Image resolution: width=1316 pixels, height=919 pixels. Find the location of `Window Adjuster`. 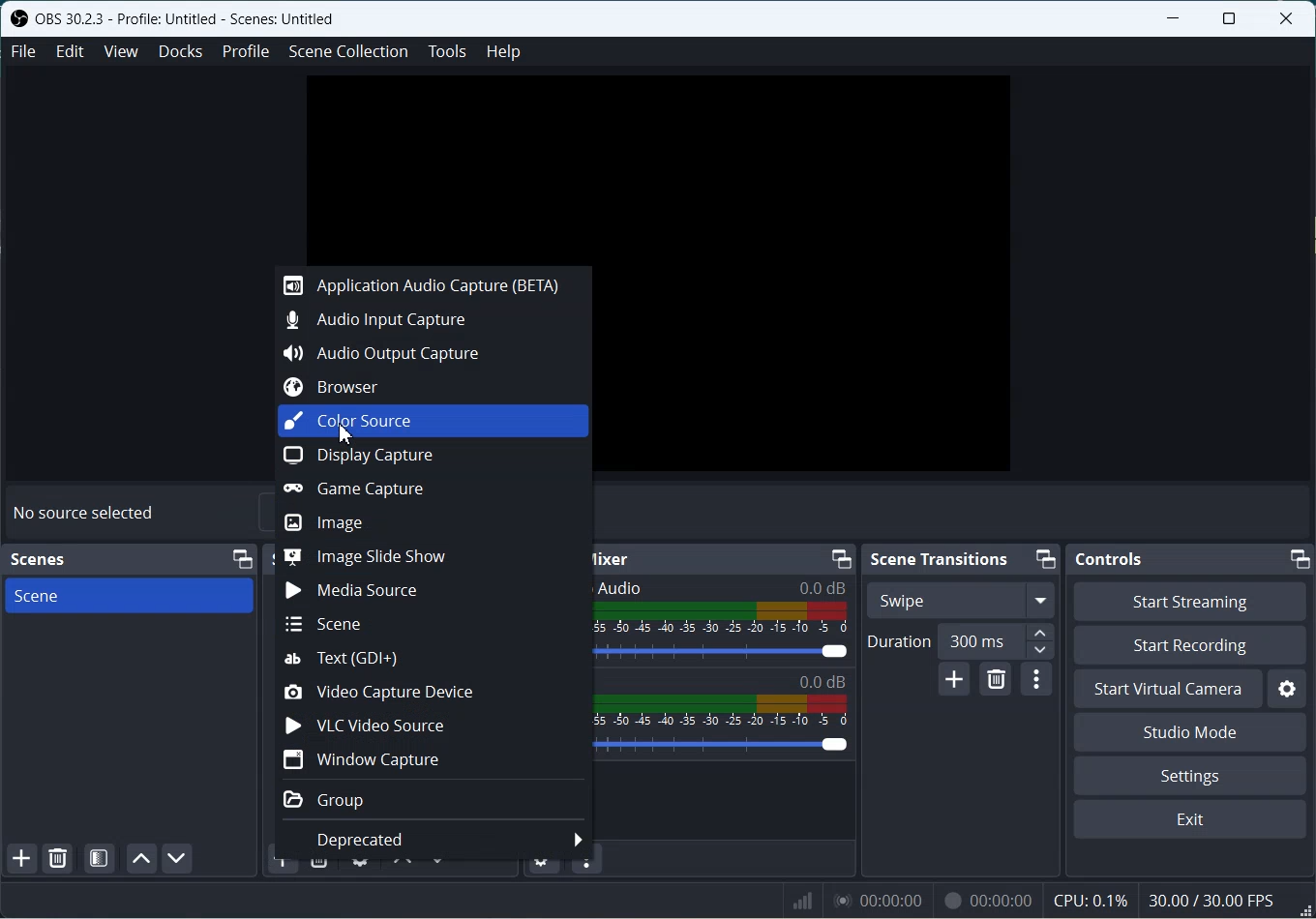

Window Adjuster is located at coordinates (1303, 909).